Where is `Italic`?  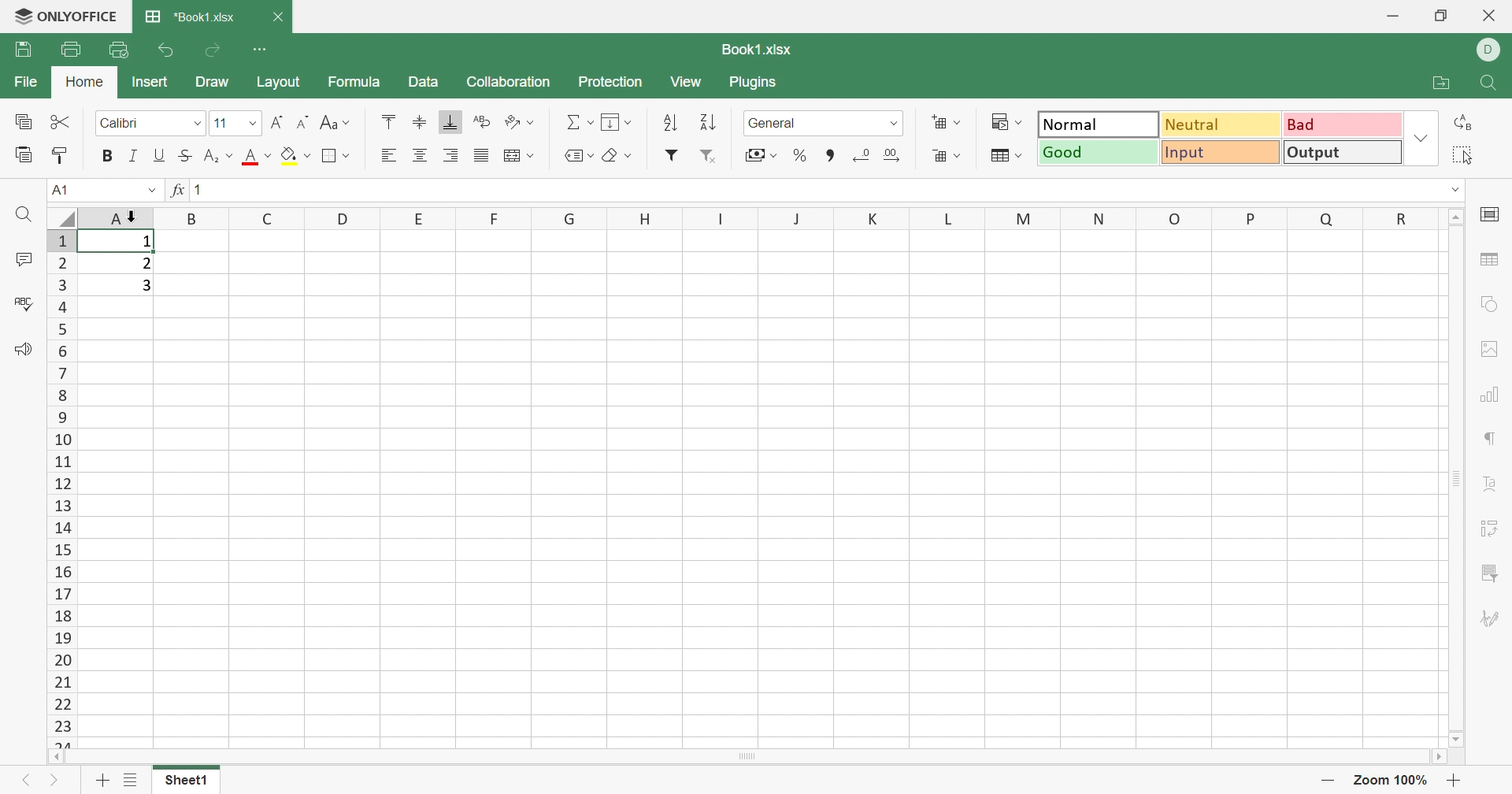 Italic is located at coordinates (132, 156).